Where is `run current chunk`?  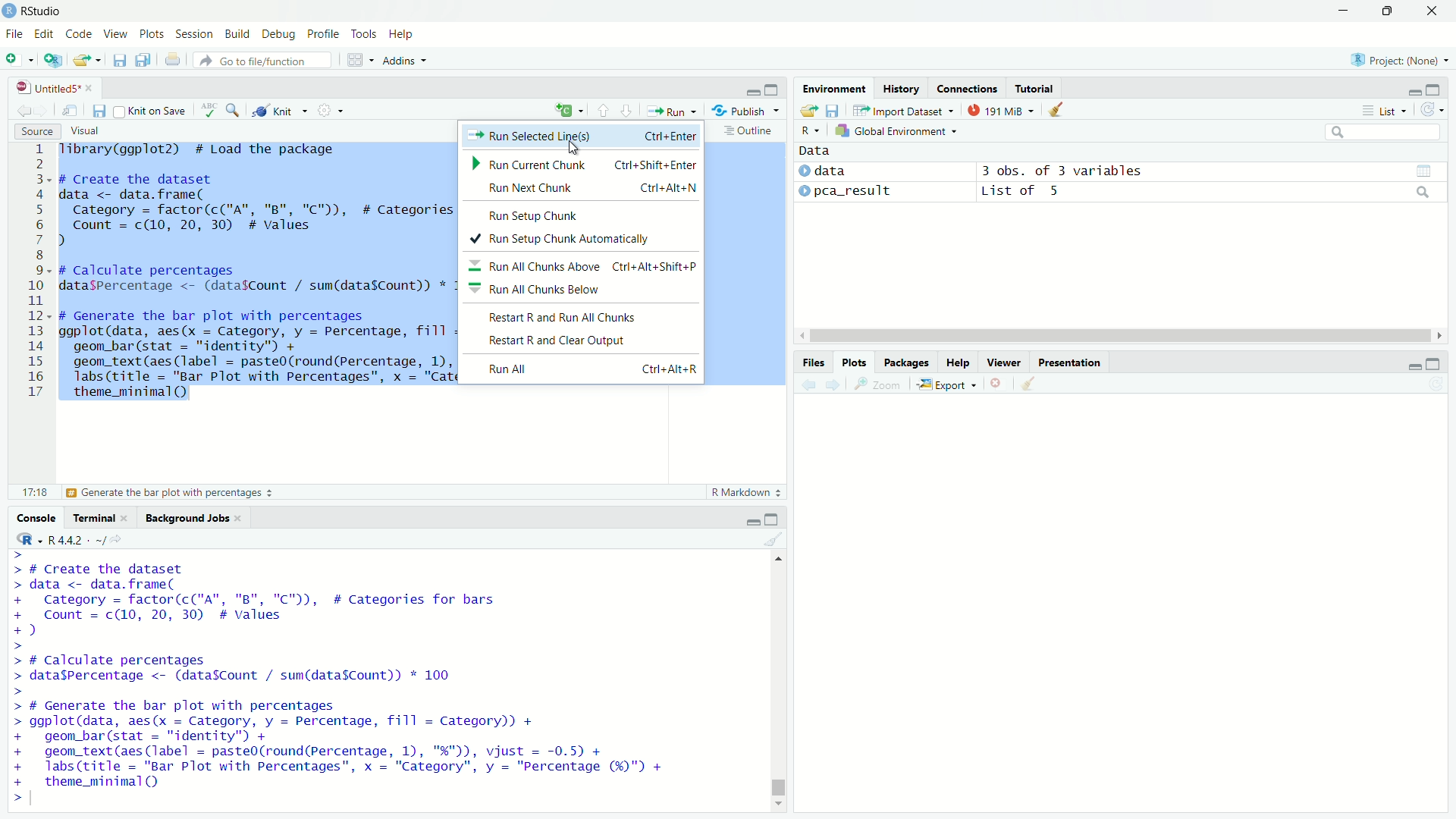 run current chunk is located at coordinates (584, 164).